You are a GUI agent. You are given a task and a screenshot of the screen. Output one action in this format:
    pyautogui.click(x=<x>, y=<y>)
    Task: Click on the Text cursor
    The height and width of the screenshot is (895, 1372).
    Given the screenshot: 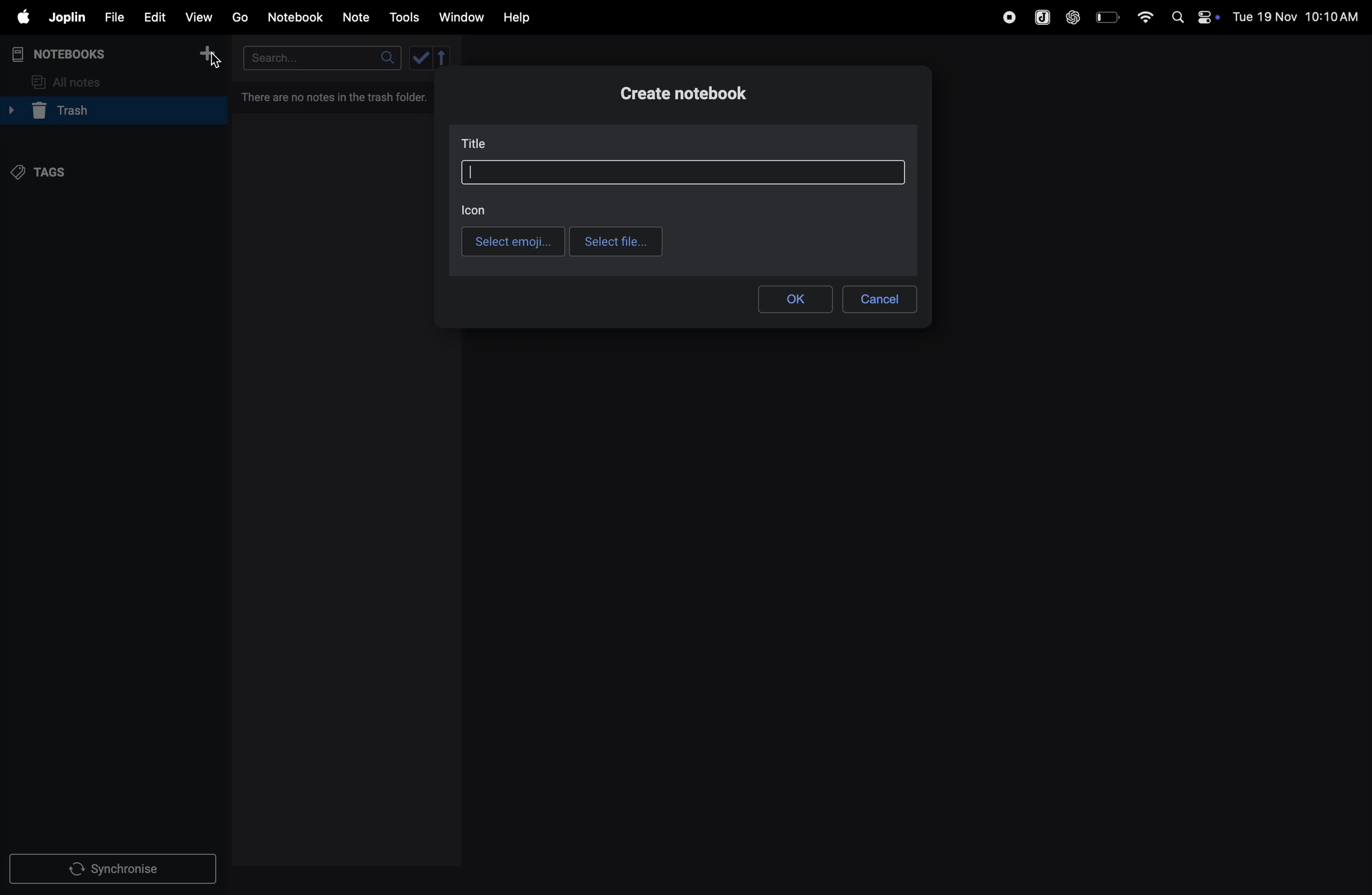 What is the action you would take?
    pyautogui.click(x=470, y=172)
    